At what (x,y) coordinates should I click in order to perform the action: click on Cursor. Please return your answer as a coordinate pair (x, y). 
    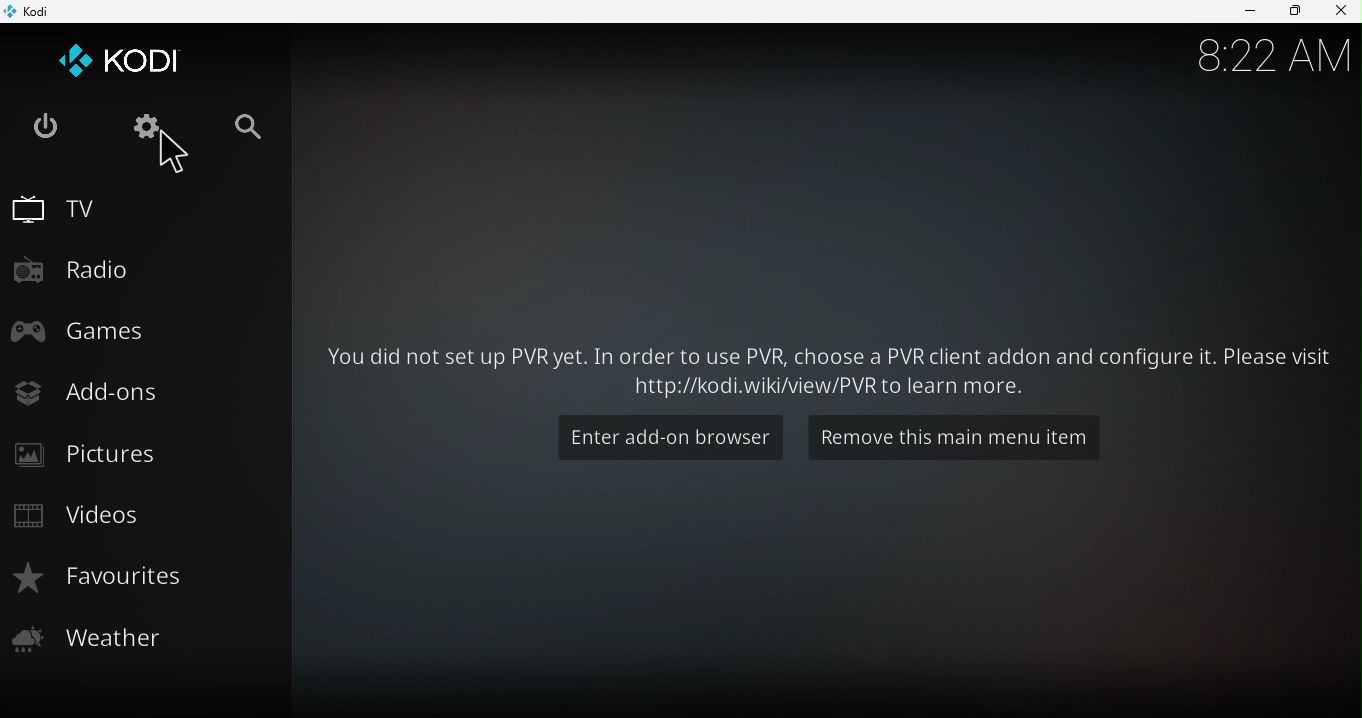
    Looking at the image, I should click on (178, 155).